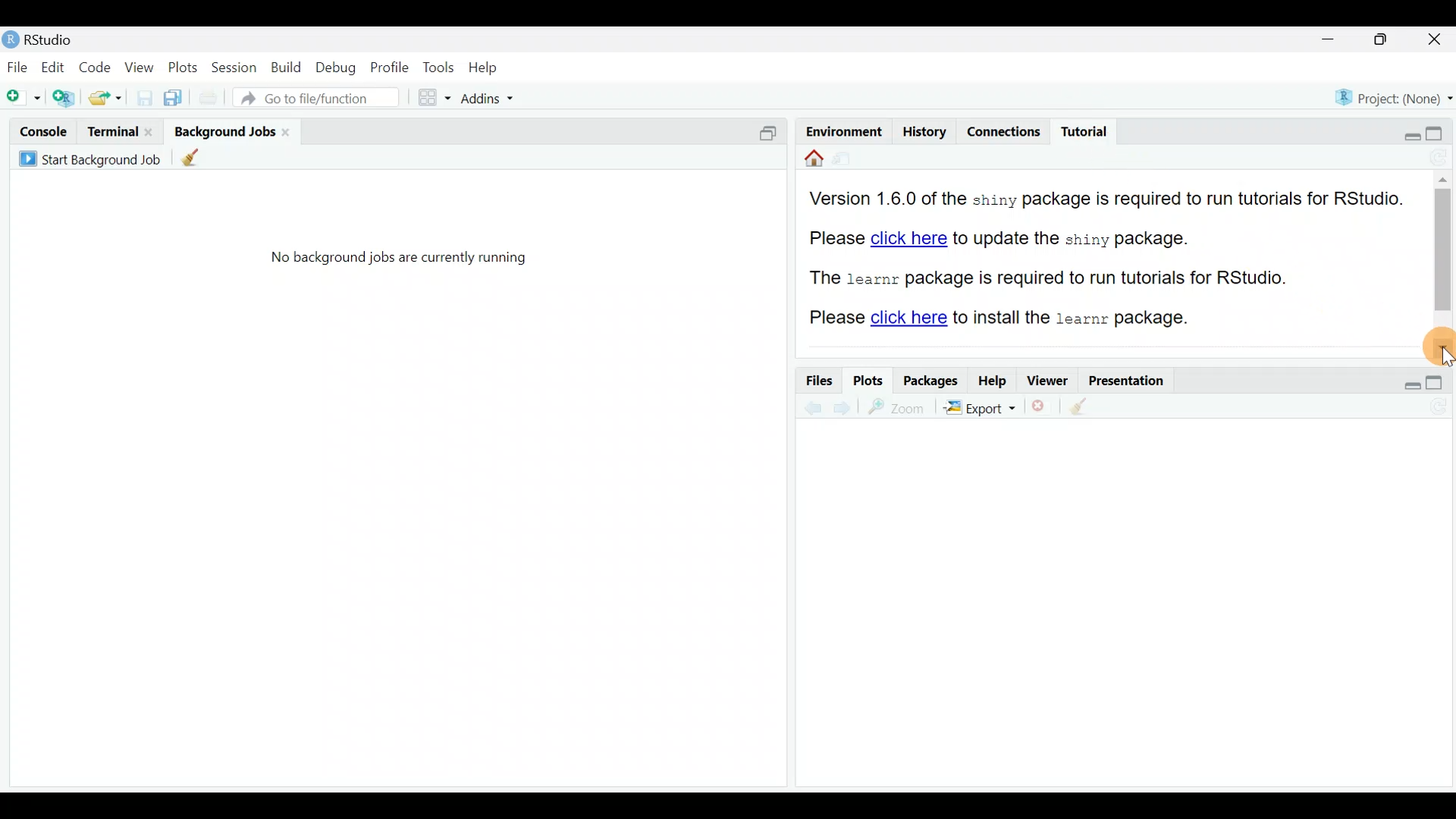  What do you see at coordinates (1075, 316) in the screenshot?
I see `to install the 1earnr package.` at bounding box center [1075, 316].